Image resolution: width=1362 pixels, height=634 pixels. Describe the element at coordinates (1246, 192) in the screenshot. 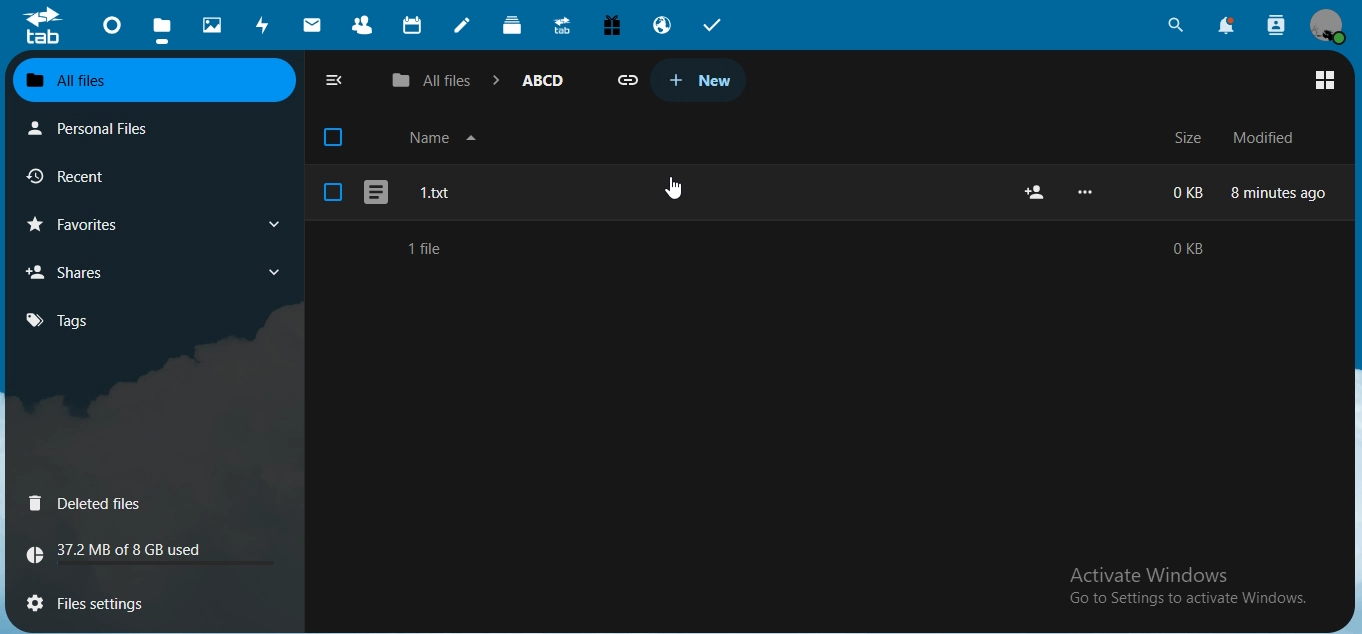

I see `text` at that location.